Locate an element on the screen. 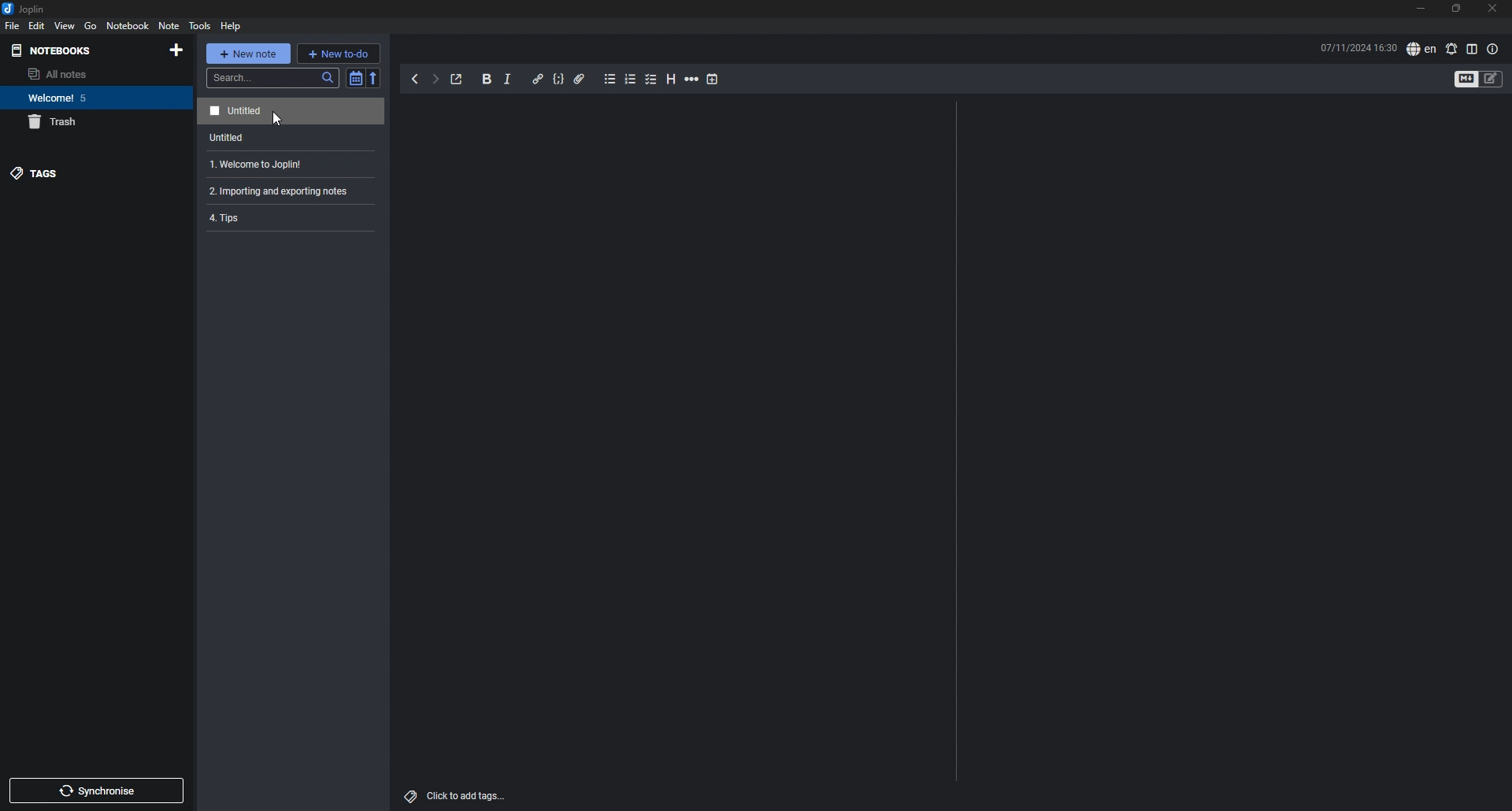 This screenshot has height=811, width=1512. back is located at coordinates (417, 80).